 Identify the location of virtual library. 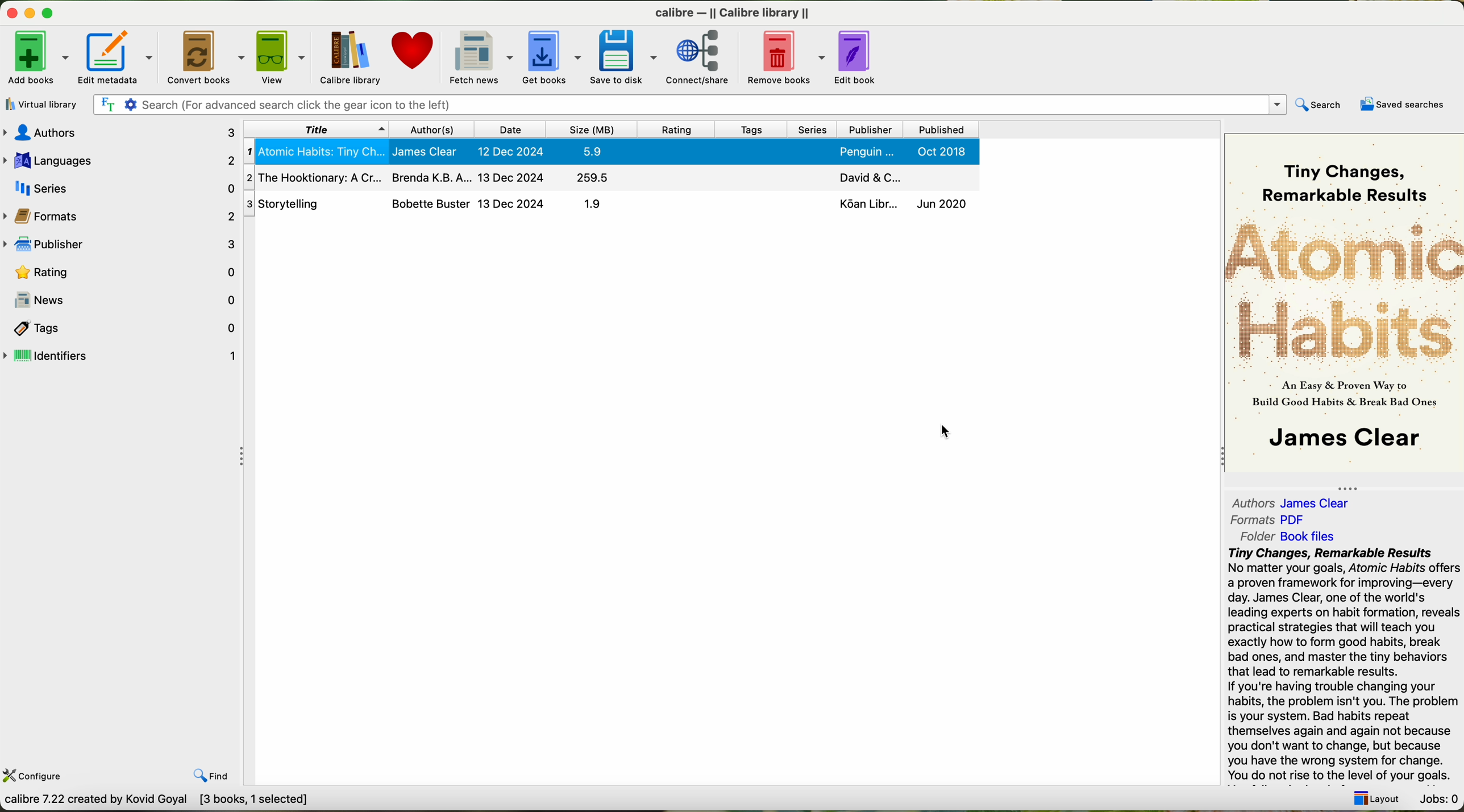
(43, 105).